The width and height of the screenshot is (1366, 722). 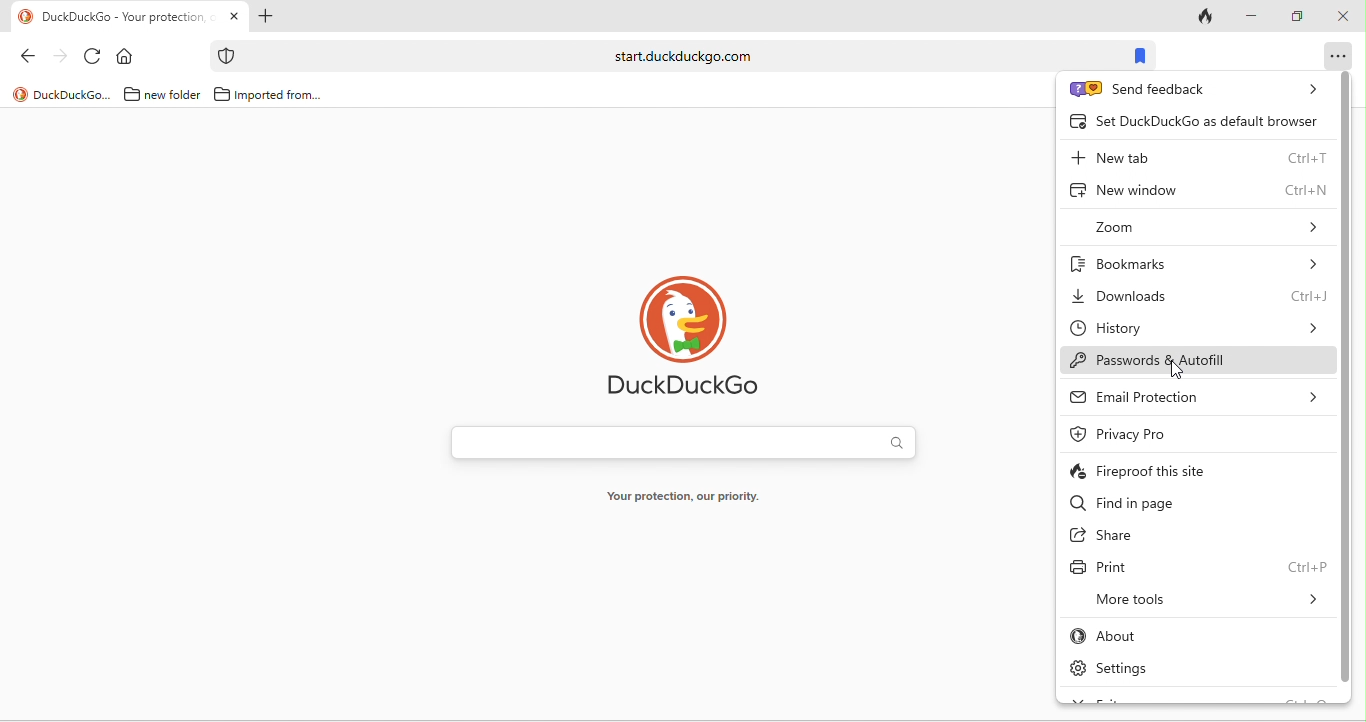 I want to click on email protection, so click(x=1198, y=395).